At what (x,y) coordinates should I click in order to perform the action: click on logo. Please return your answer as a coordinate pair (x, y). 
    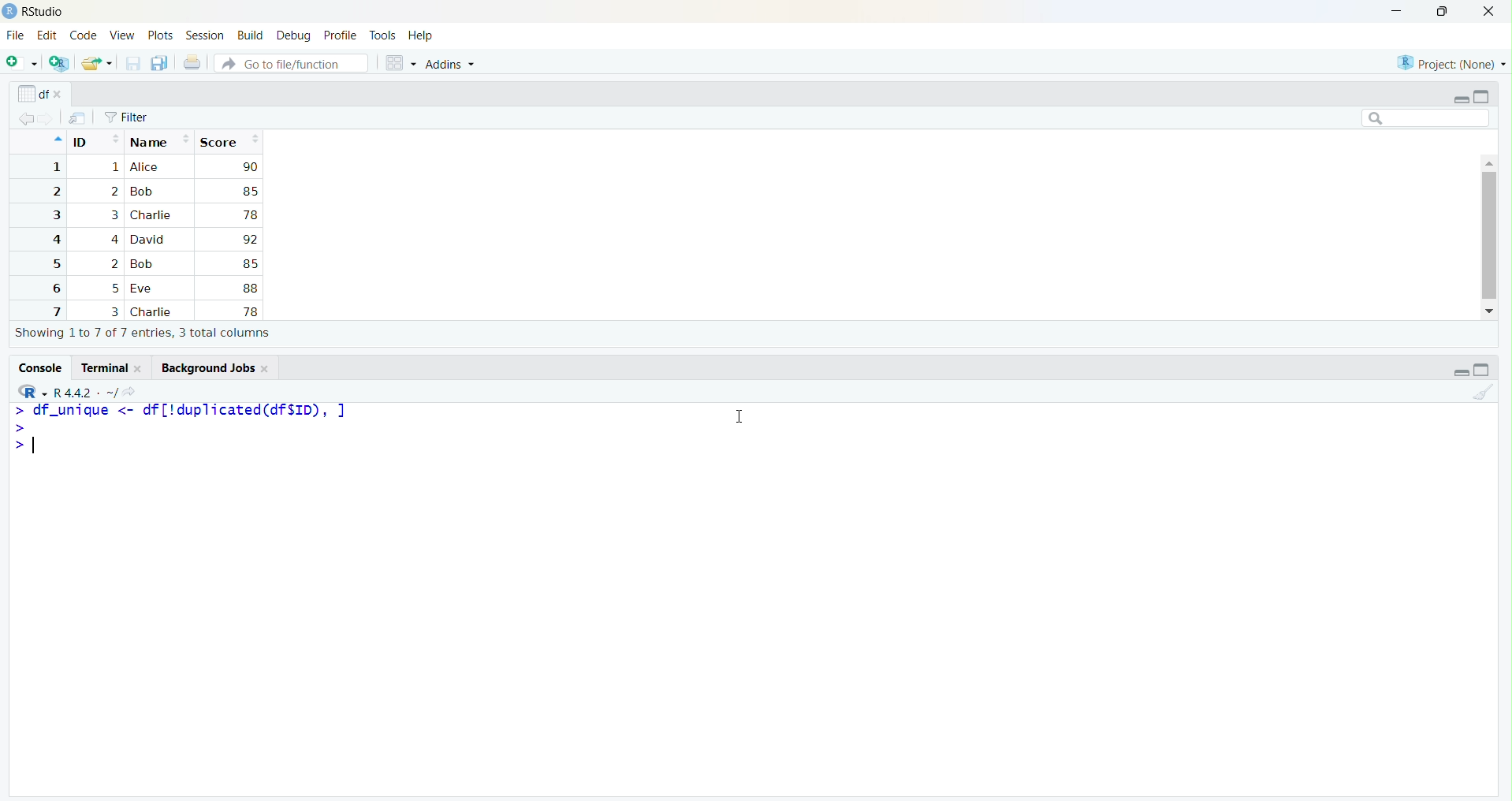
    Looking at the image, I should click on (9, 12).